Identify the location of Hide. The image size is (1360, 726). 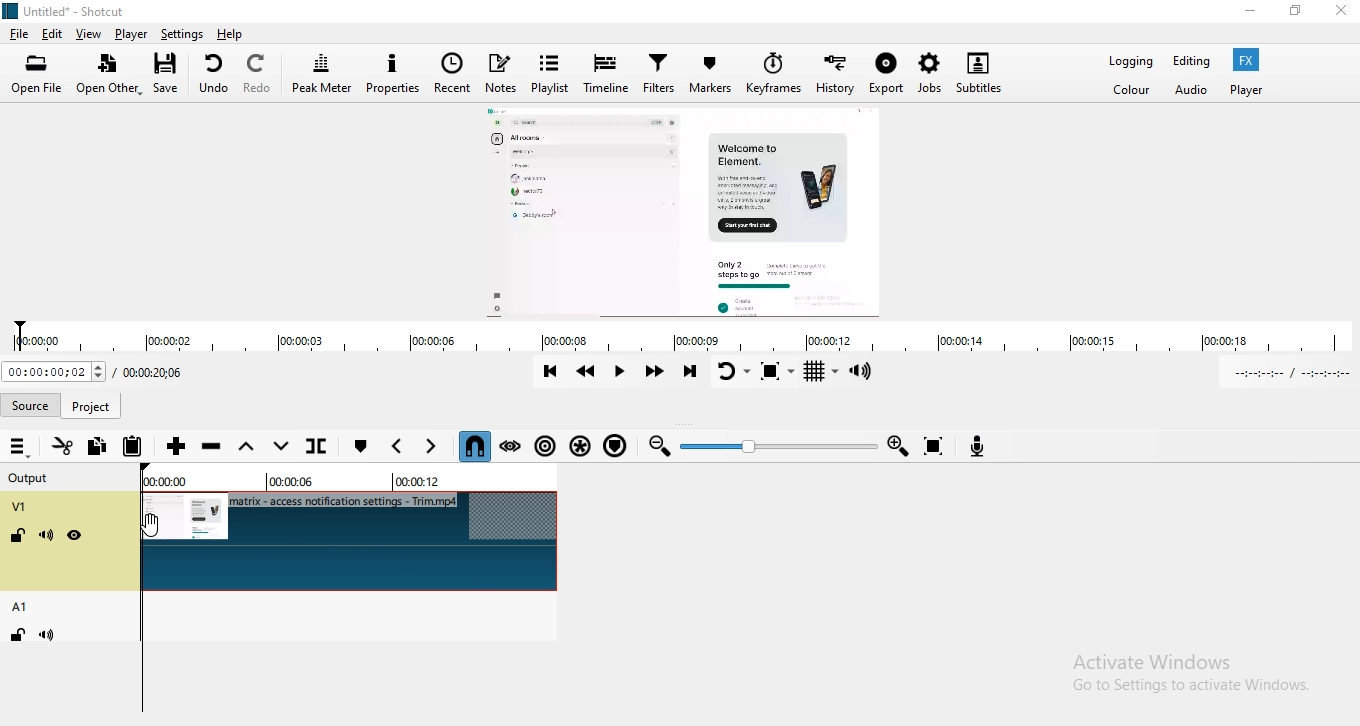
(83, 536).